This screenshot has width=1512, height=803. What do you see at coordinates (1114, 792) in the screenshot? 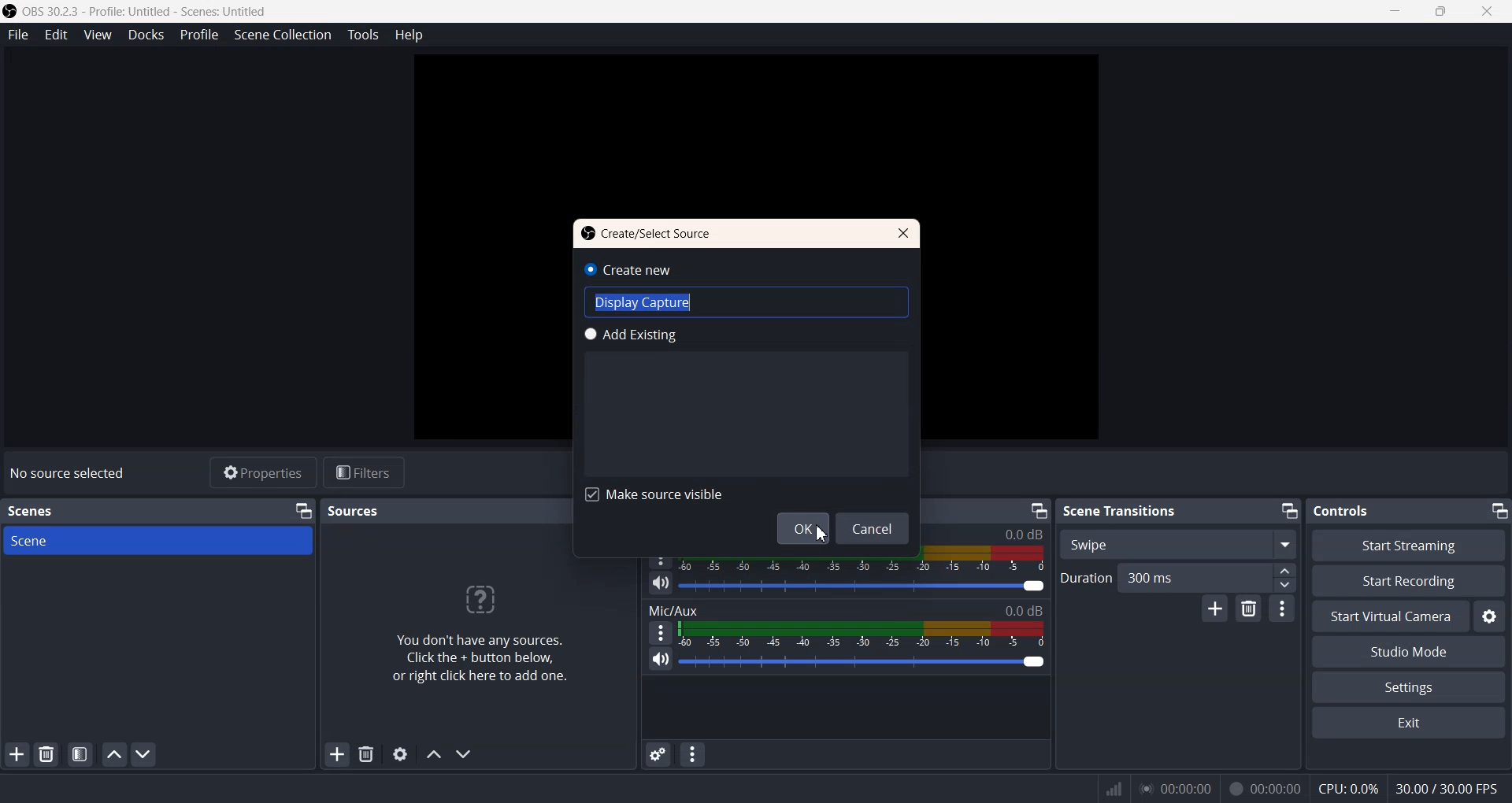
I see `signal display ` at bounding box center [1114, 792].